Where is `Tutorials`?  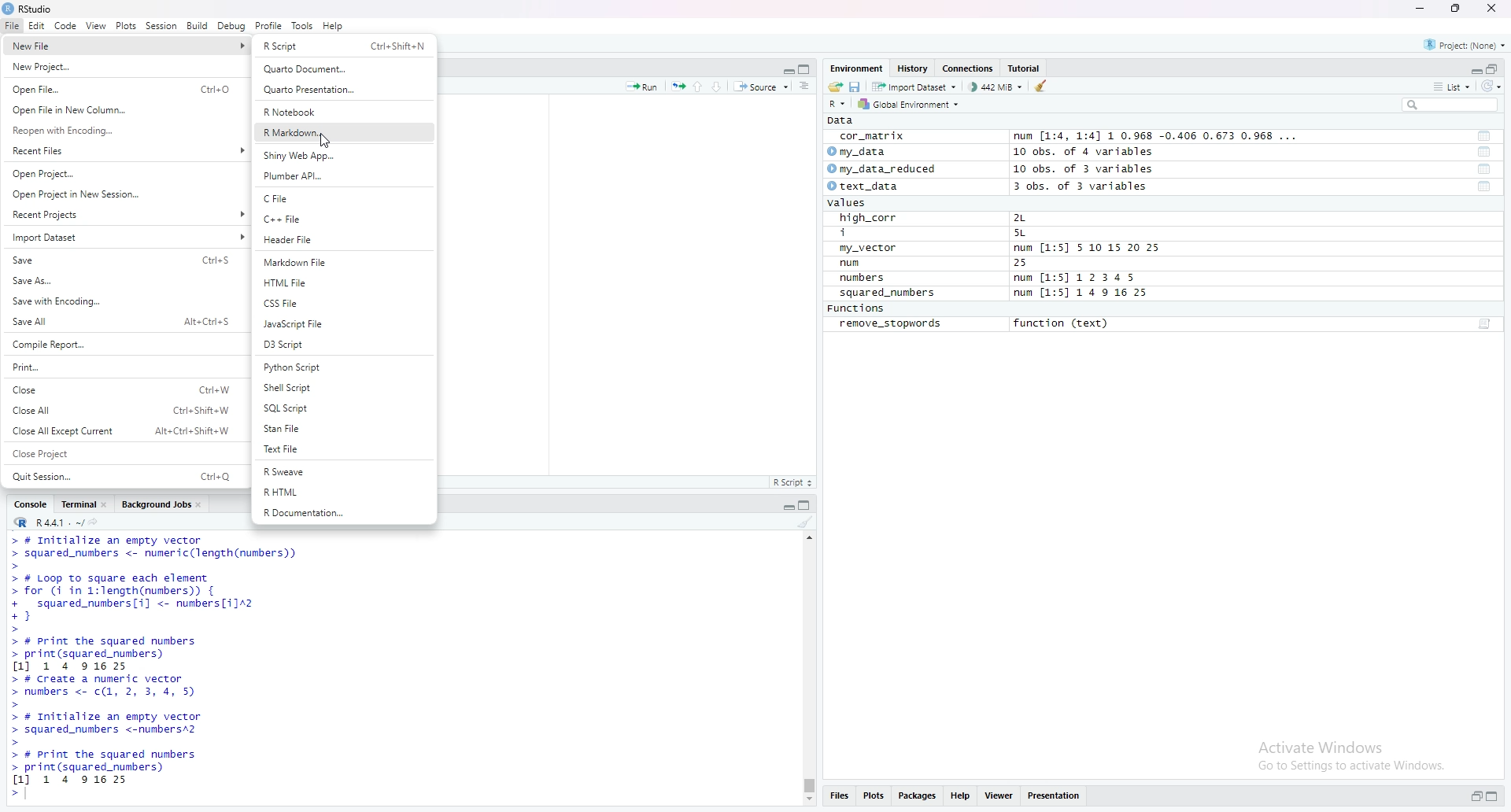 Tutorials is located at coordinates (1026, 67).